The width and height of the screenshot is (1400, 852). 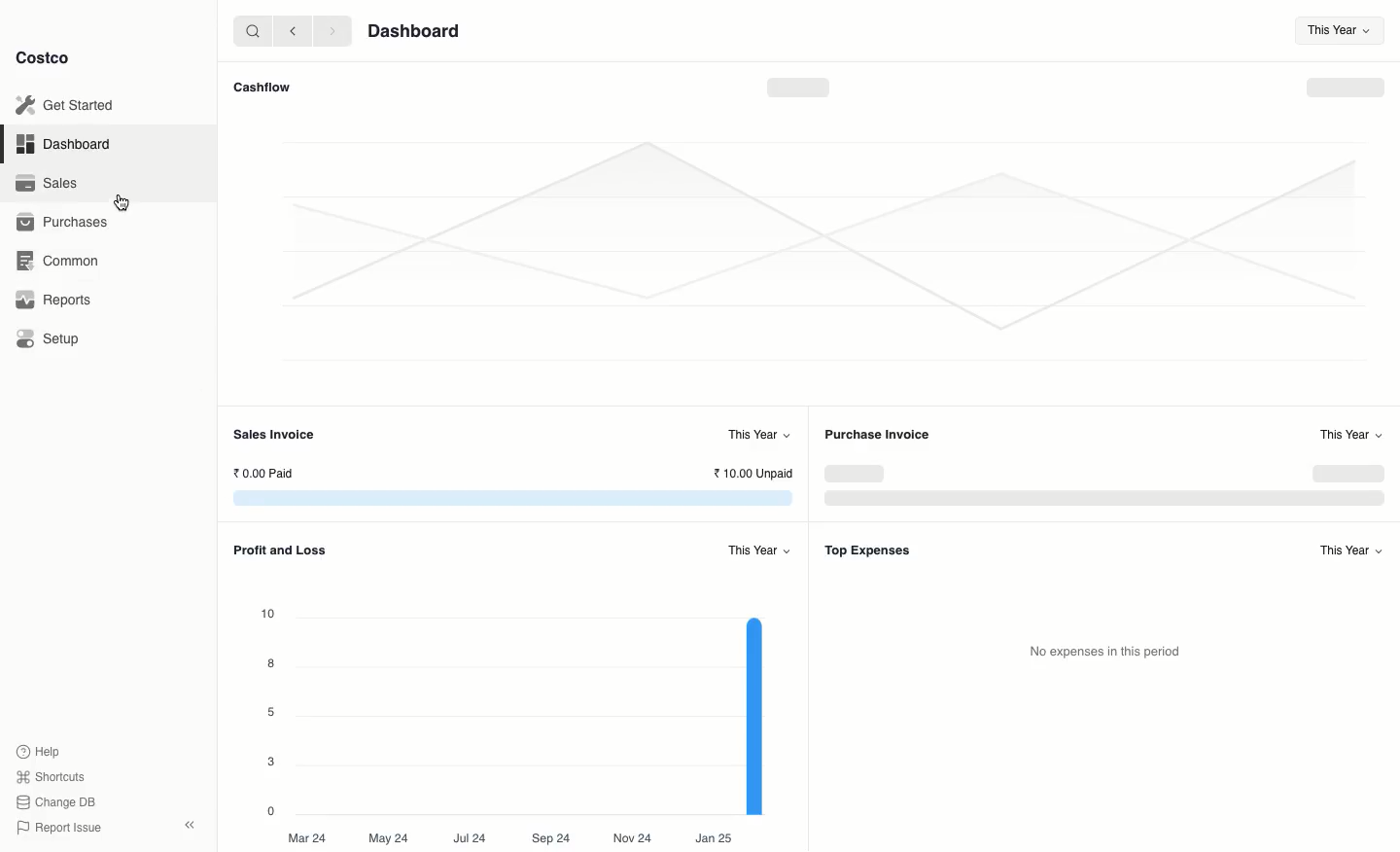 What do you see at coordinates (634, 837) in the screenshot?
I see `Nov 24` at bounding box center [634, 837].